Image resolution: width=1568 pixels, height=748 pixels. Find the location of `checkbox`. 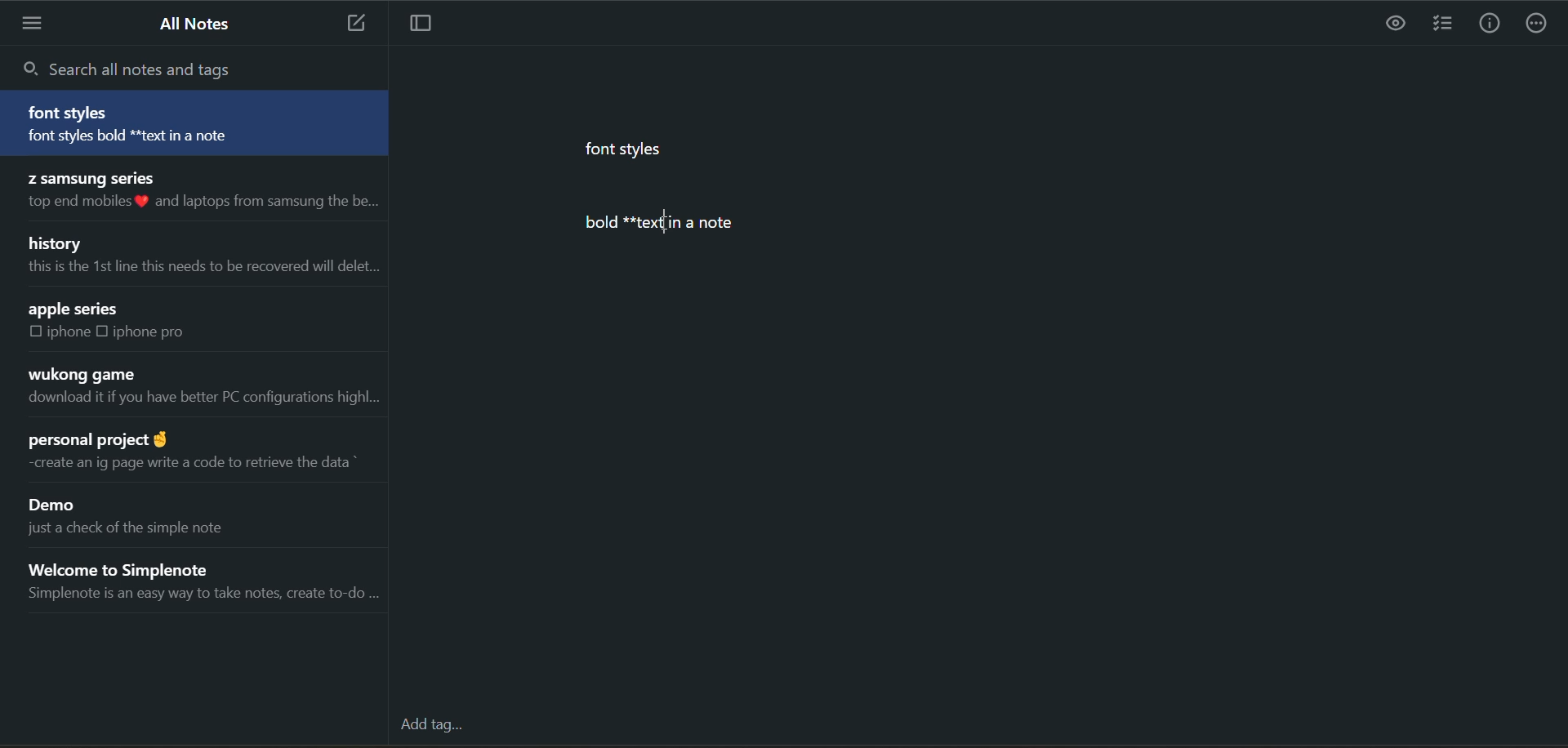

checkbox is located at coordinates (36, 332).